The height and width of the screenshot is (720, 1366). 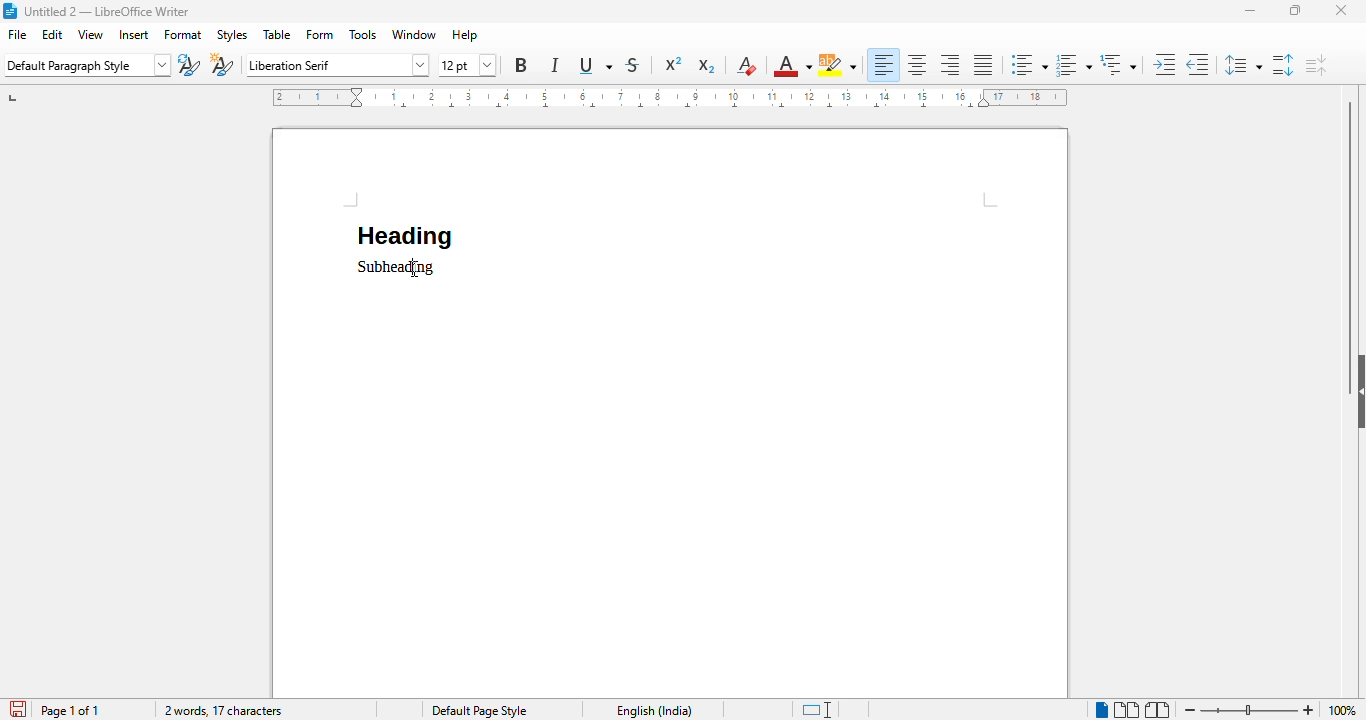 I want to click on justified, so click(x=983, y=64).